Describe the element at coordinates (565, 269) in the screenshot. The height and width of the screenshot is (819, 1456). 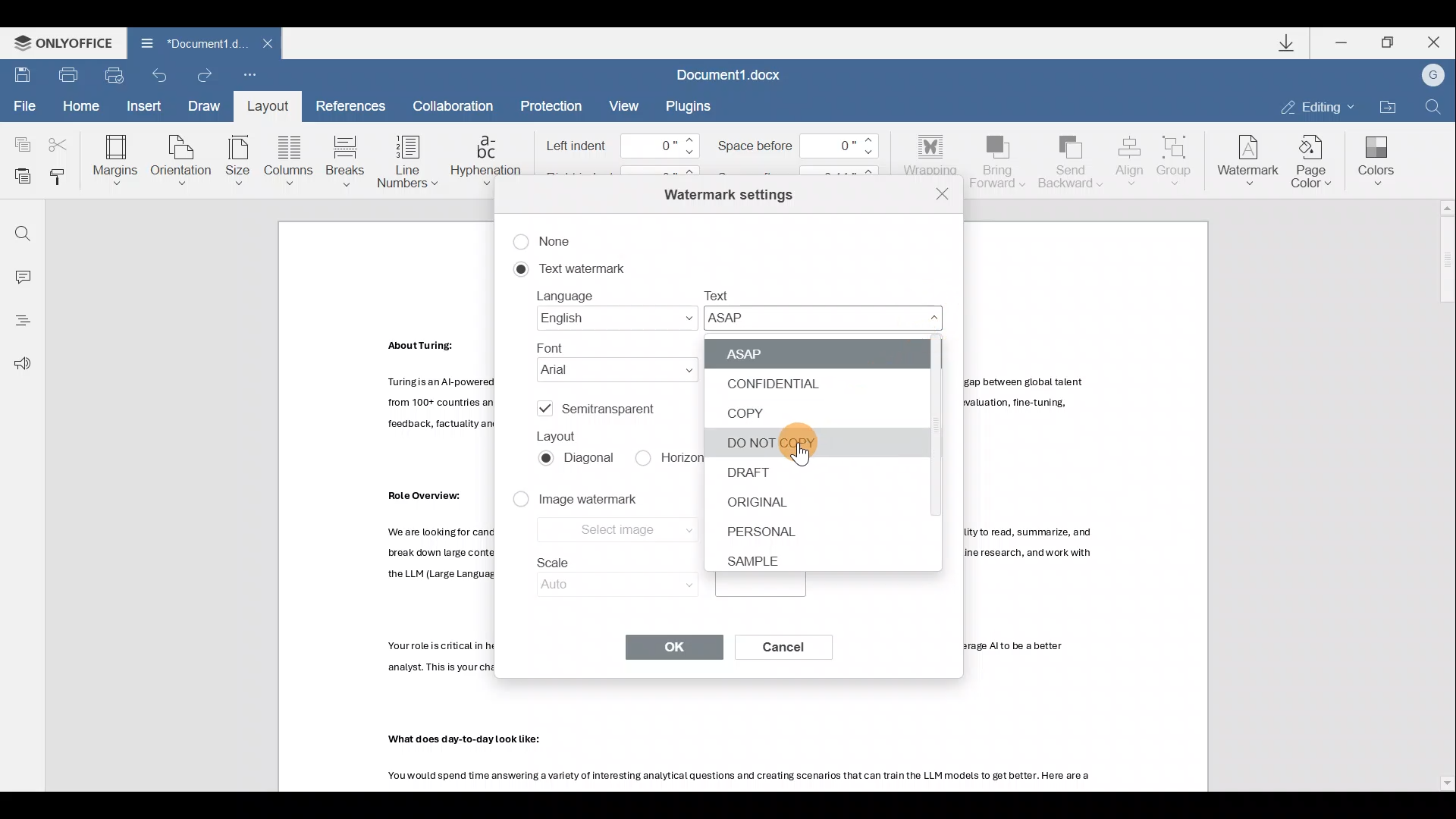
I see `Text watermark` at that location.